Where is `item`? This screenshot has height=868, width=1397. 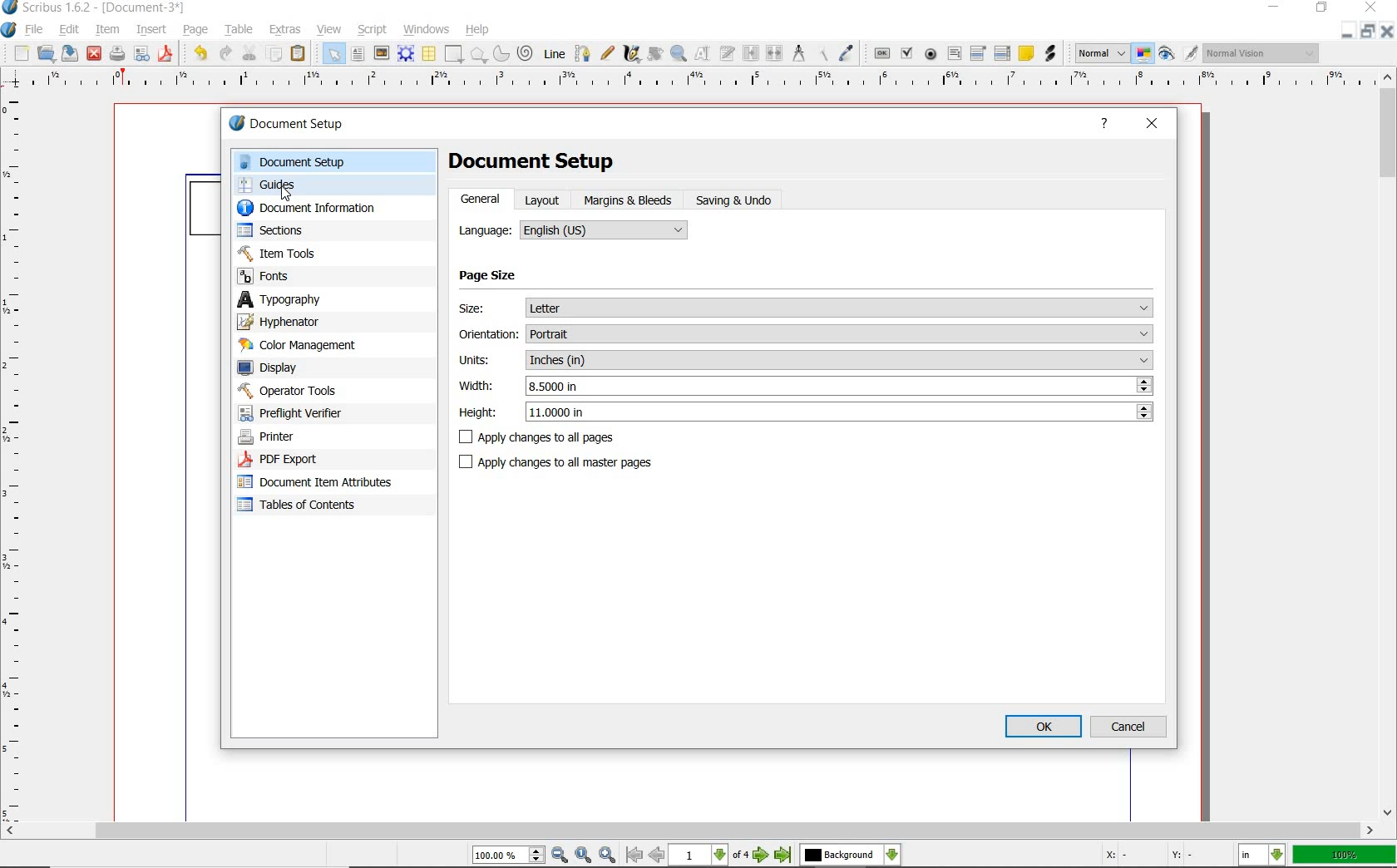 item is located at coordinates (107, 31).